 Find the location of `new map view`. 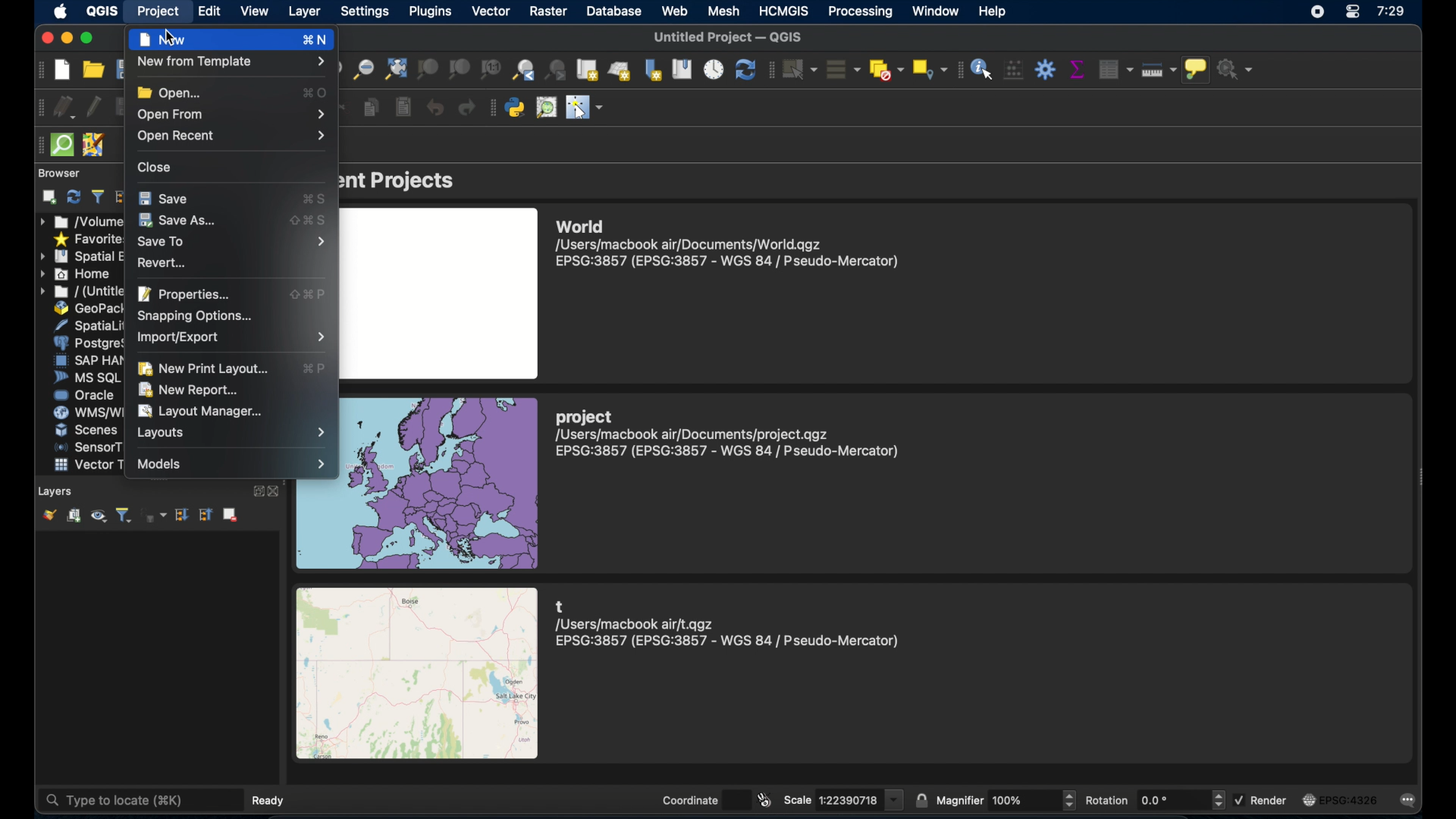

new map view is located at coordinates (588, 70).